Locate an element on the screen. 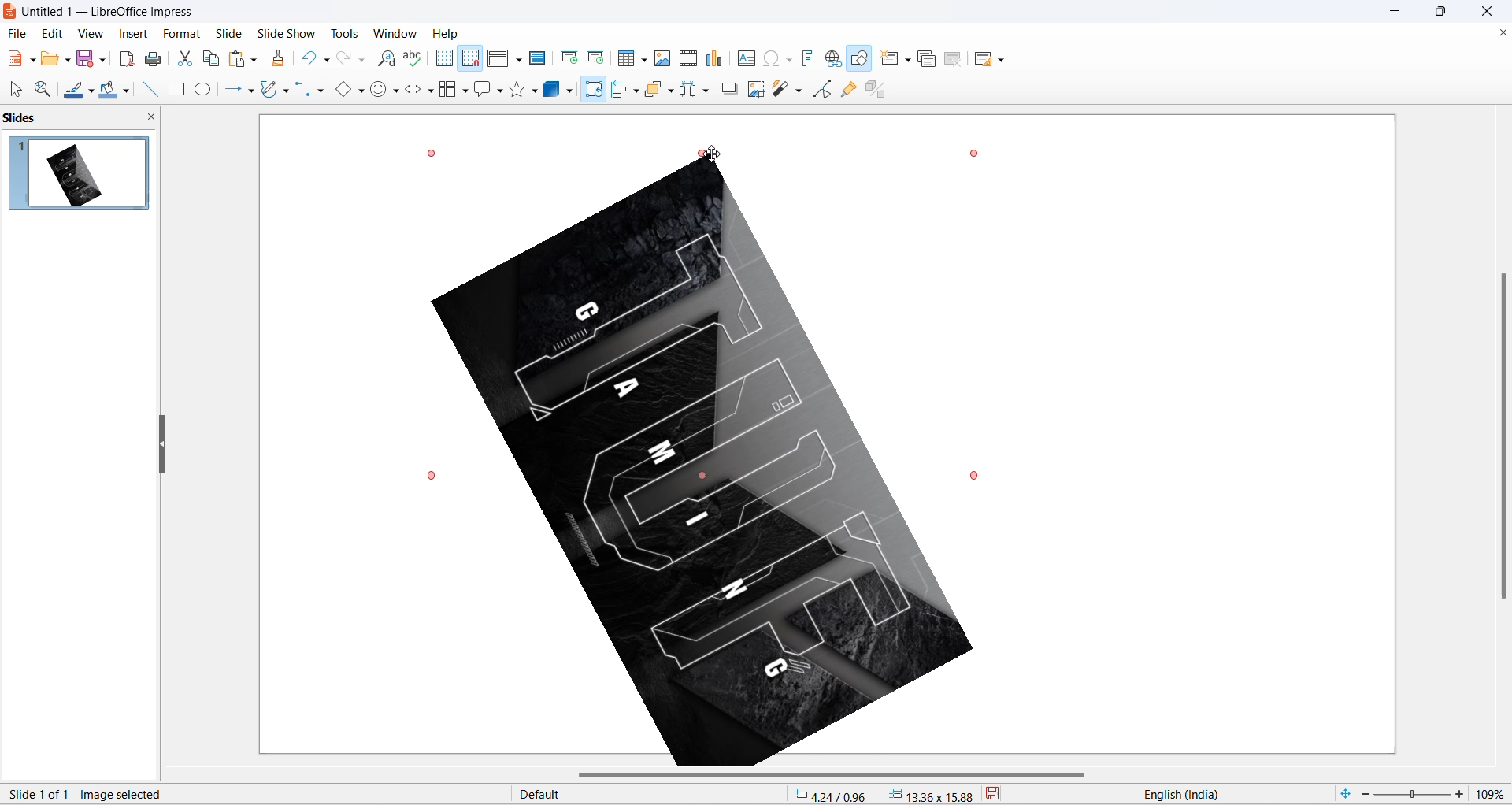 The width and height of the screenshot is (1512, 805). rotated image is located at coordinates (702, 463).